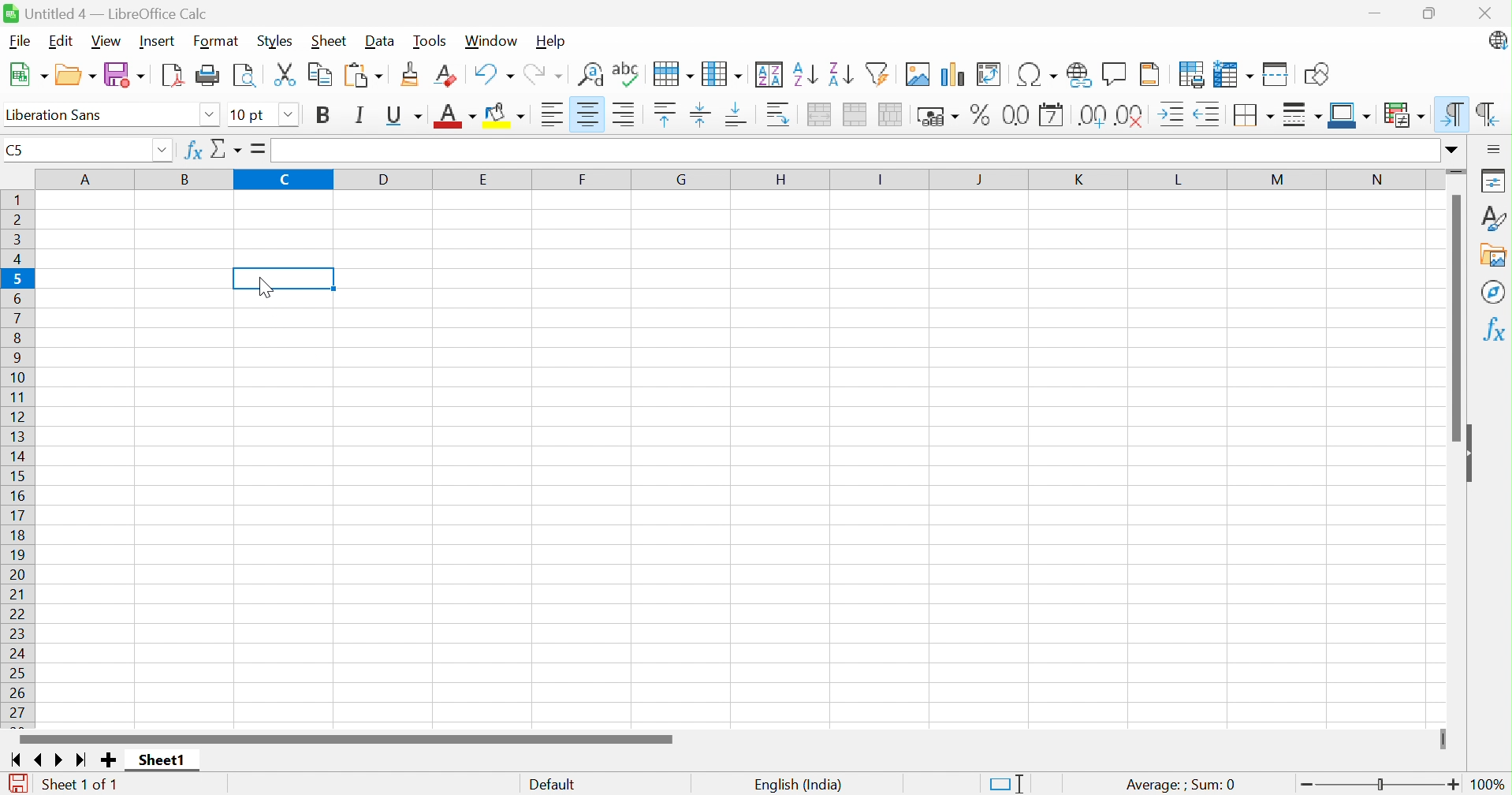  I want to click on Zoom In, so click(1454, 785).